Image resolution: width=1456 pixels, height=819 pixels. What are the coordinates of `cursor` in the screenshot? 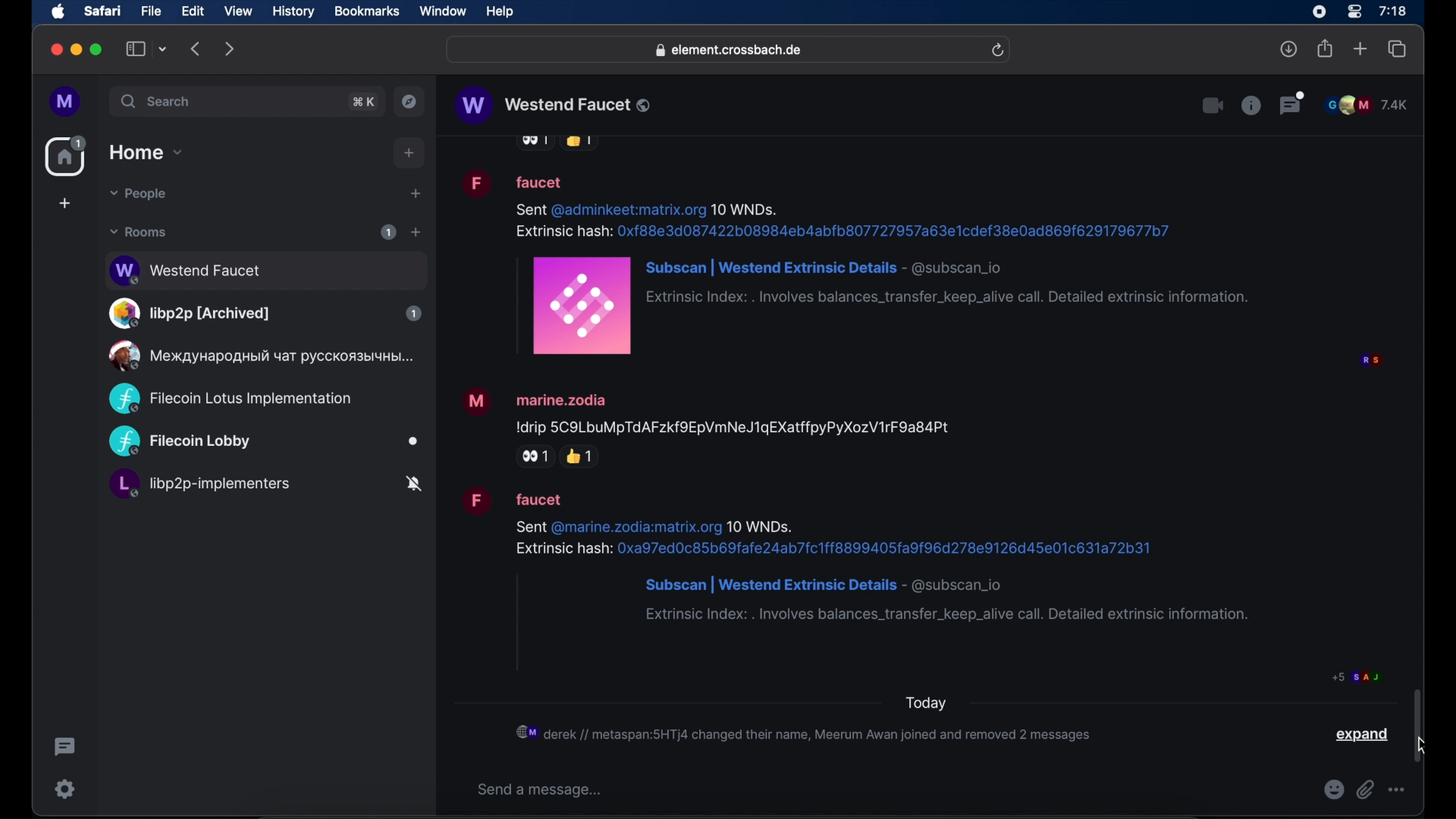 It's located at (1422, 745).